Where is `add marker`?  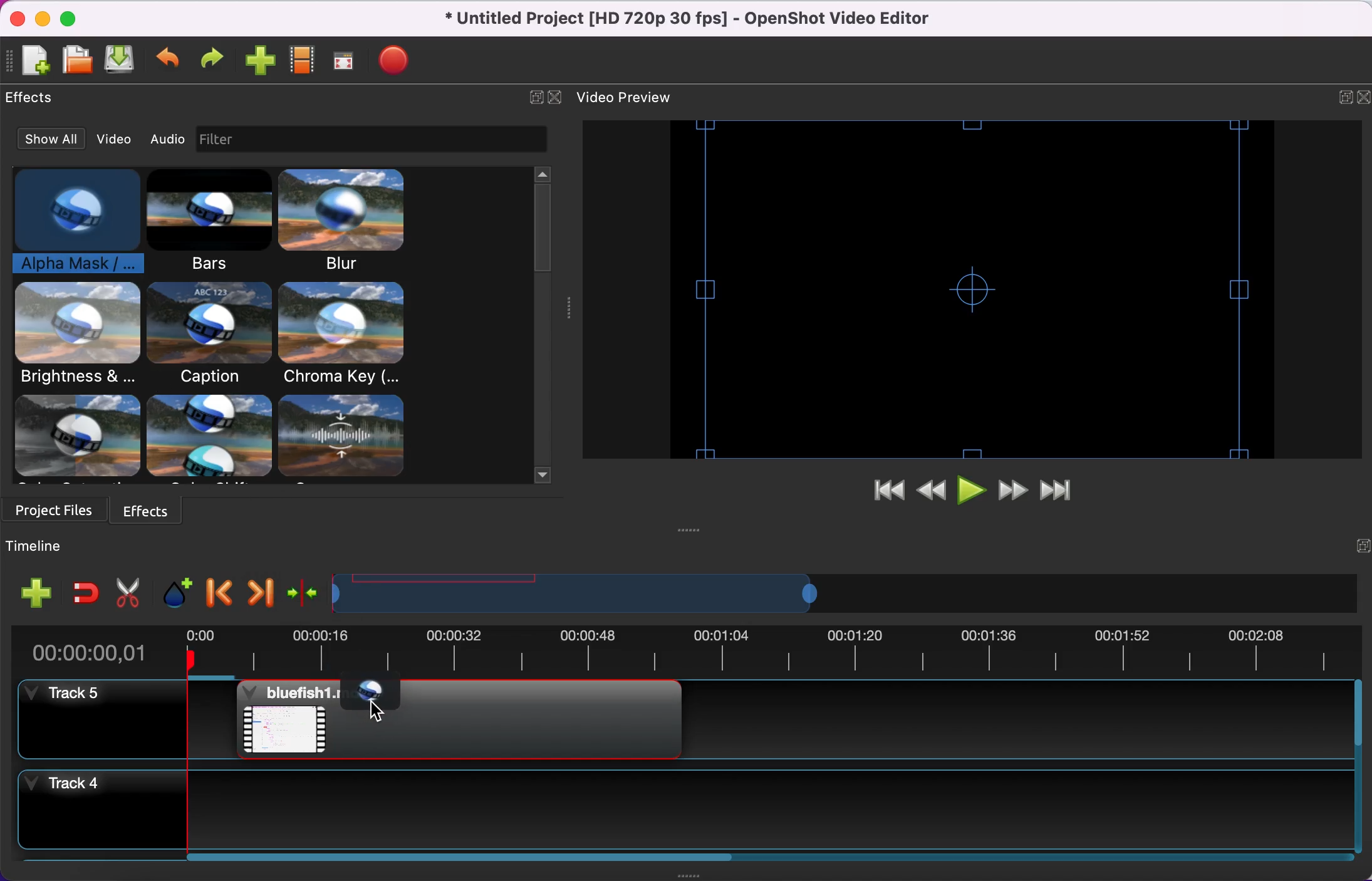 add marker is located at coordinates (173, 591).